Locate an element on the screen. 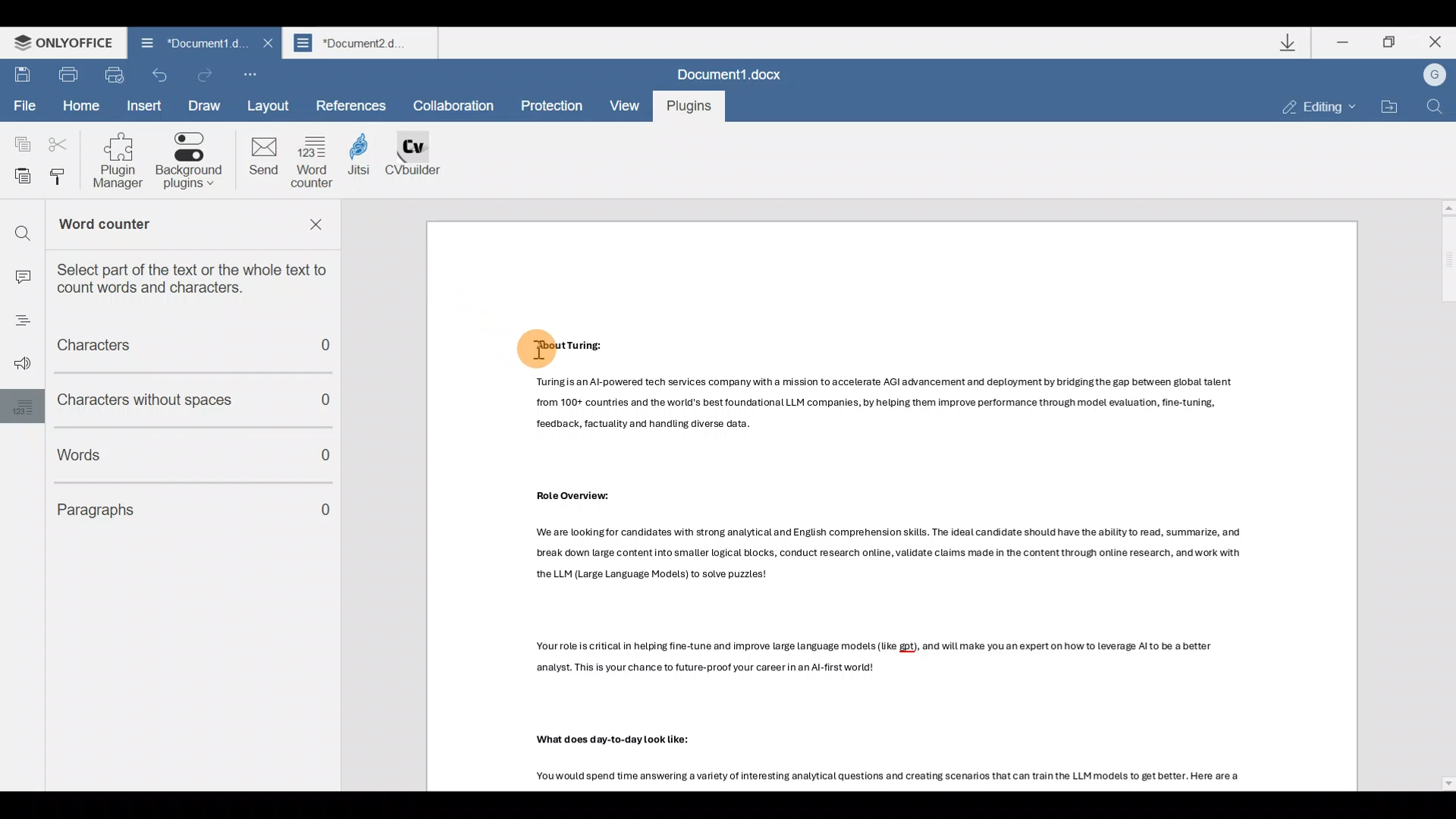 The image size is (1456, 819). Copy is located at coordinates (20, 143).